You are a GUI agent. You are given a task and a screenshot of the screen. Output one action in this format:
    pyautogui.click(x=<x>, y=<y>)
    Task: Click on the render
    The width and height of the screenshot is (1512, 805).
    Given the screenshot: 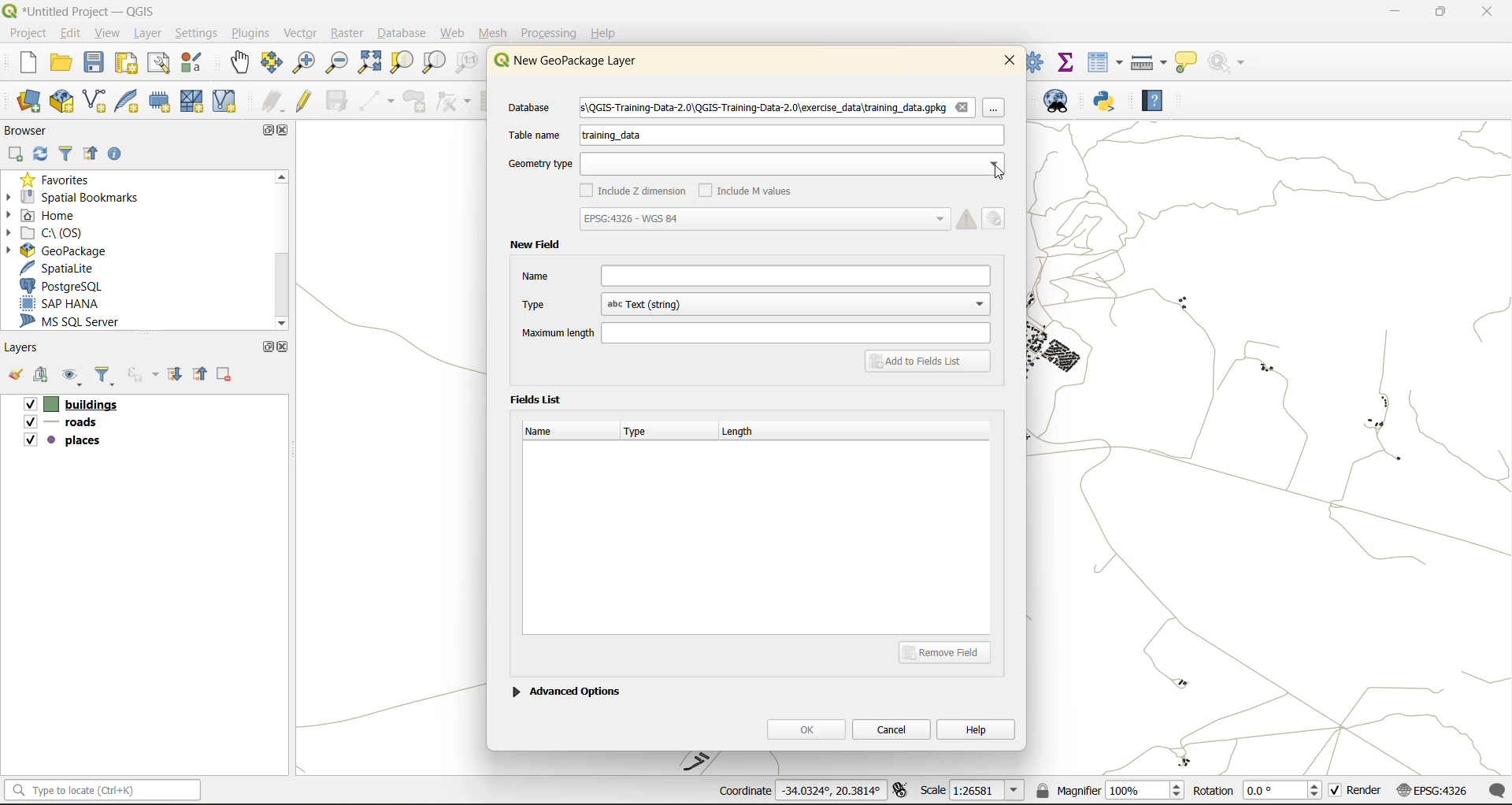 What is the action you would take?
    pyautogui.click(x=1357, y=793)
    